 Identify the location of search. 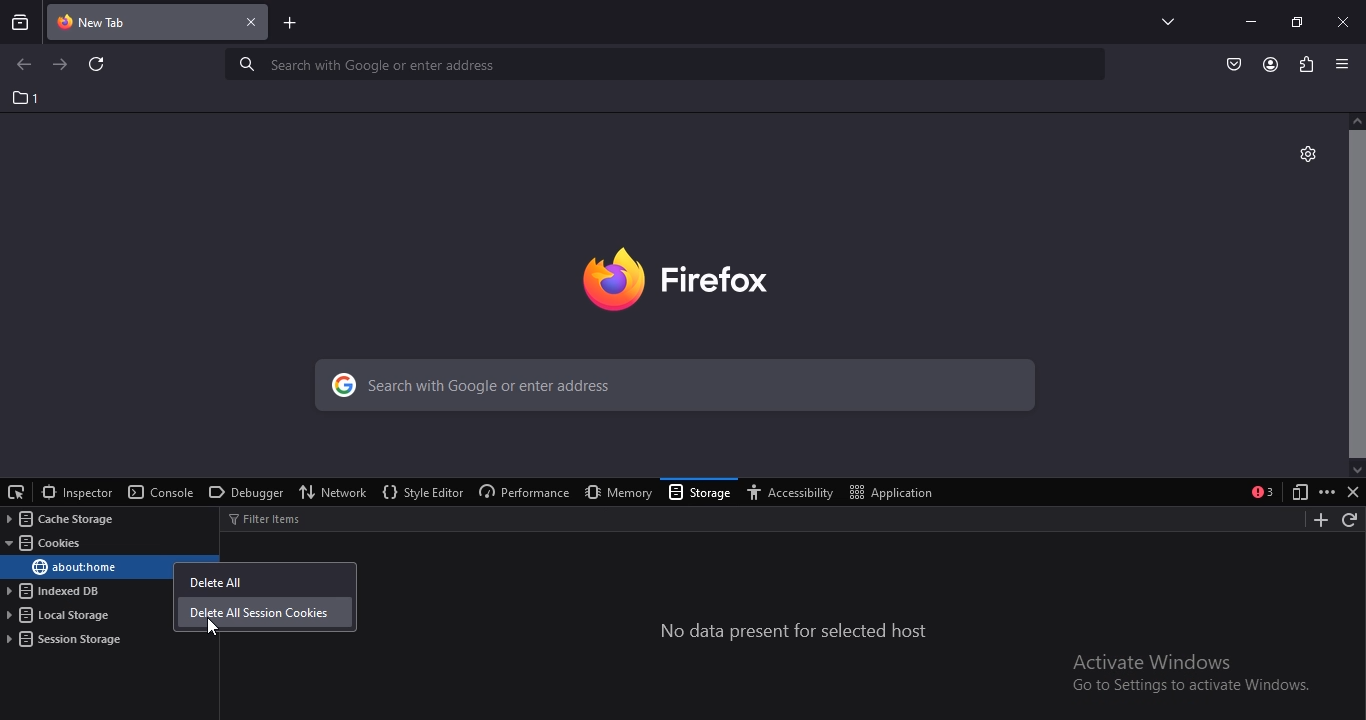
(670, 388).